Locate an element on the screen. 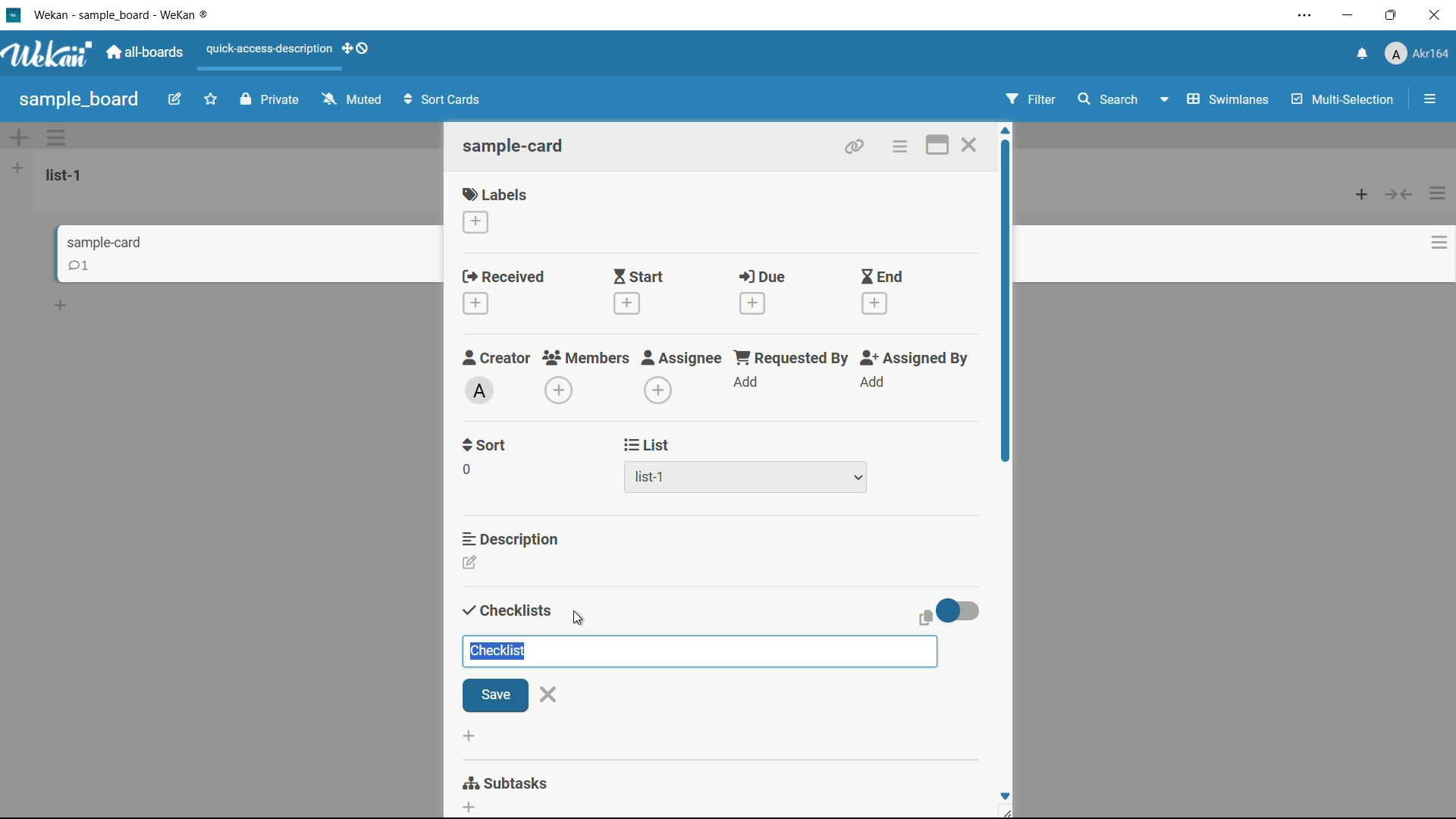  app name is located at coordinates (124, 16).